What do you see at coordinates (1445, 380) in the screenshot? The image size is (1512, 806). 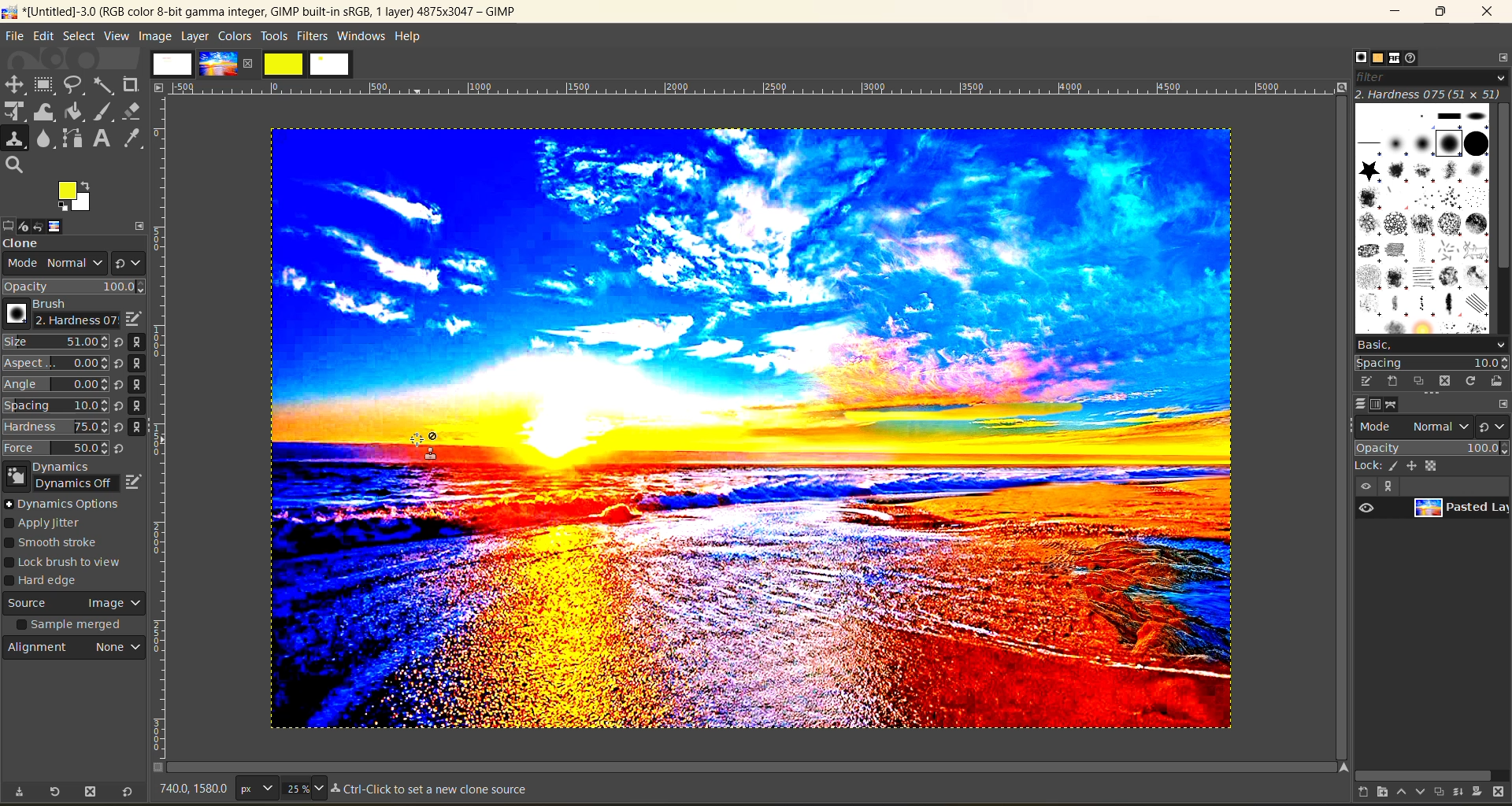 I see `delete this brush` at bounding box center [1445, 380].